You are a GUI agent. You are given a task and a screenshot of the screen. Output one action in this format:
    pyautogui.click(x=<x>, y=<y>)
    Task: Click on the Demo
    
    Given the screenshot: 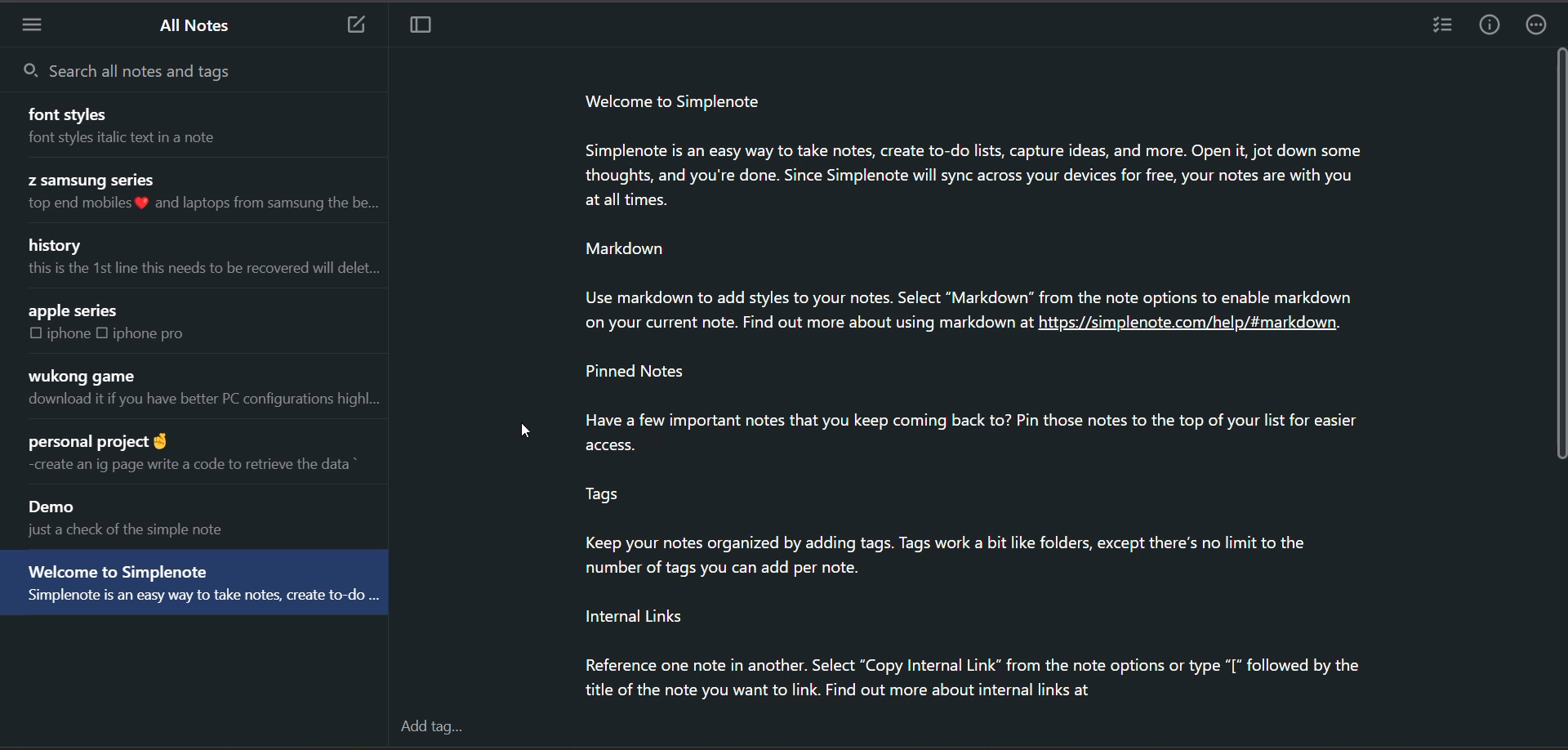 What is the action you would take?
    pyautogui.click(x=51, y=504)
    